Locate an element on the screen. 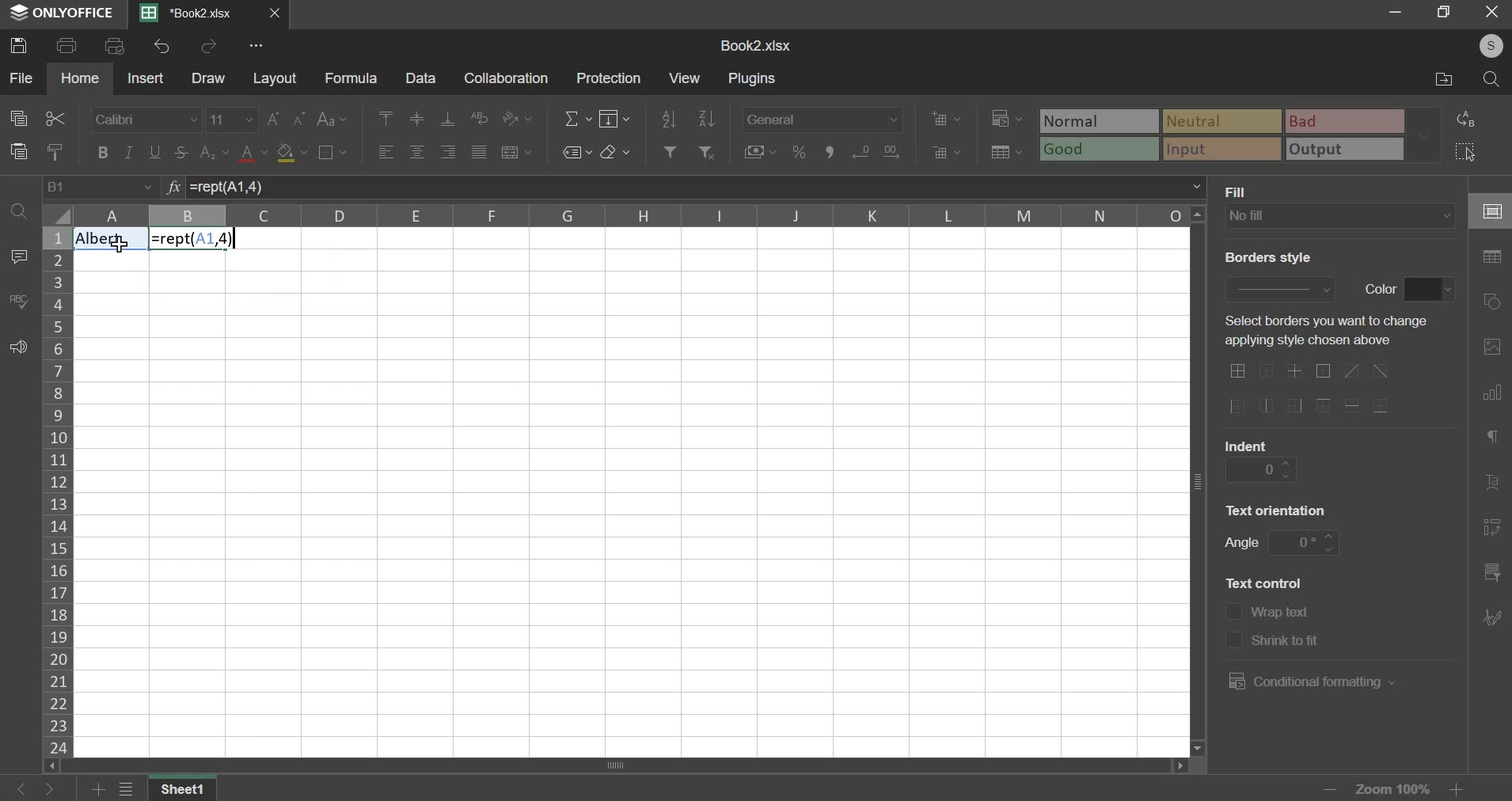  type is located at coordinates (1241, 134).